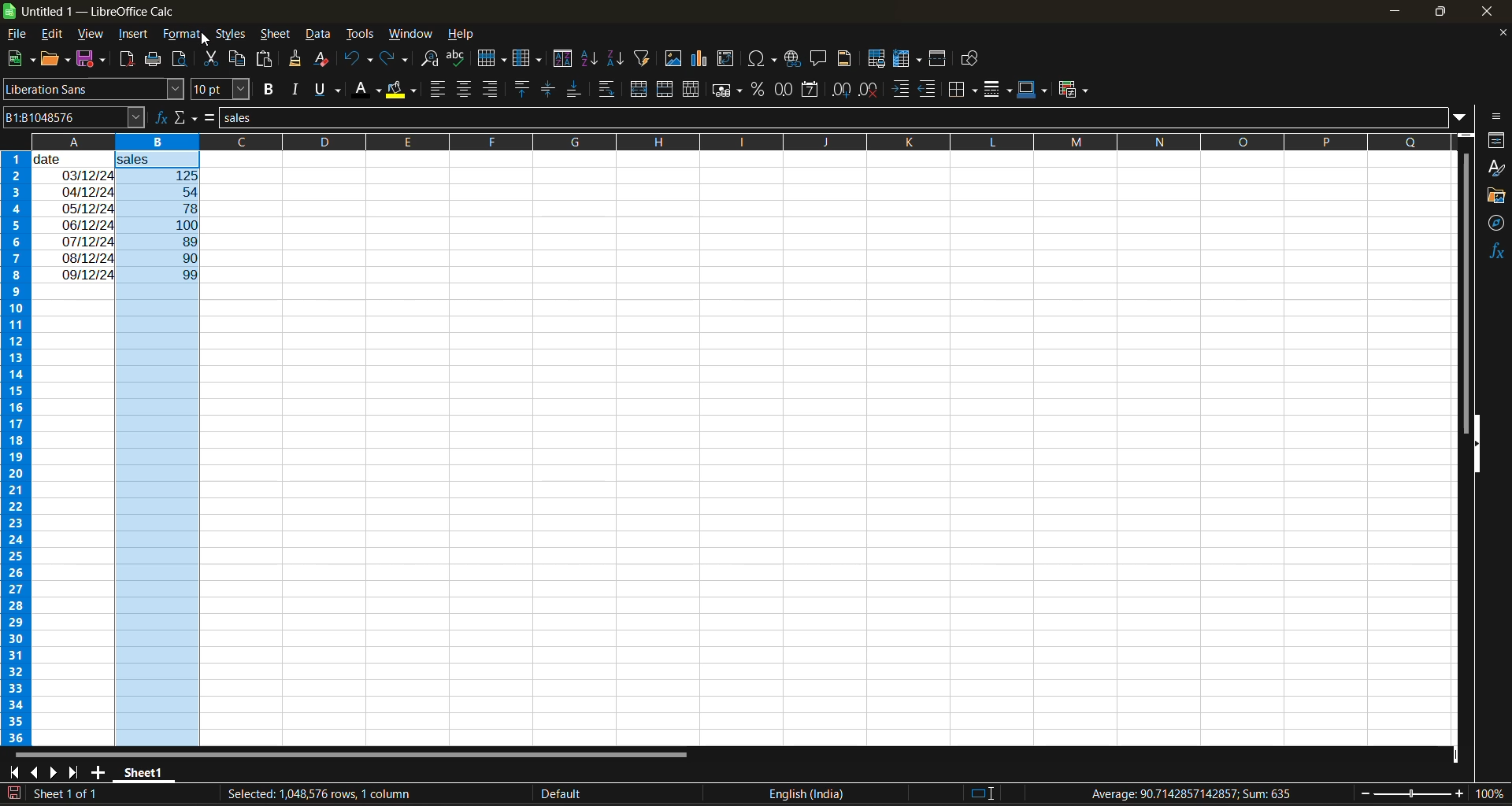 The image size is (1512, 806). What do you see at coordinates (142, 773) in the screenshot?
I see `sheet name` at bounding box center [142, 773].